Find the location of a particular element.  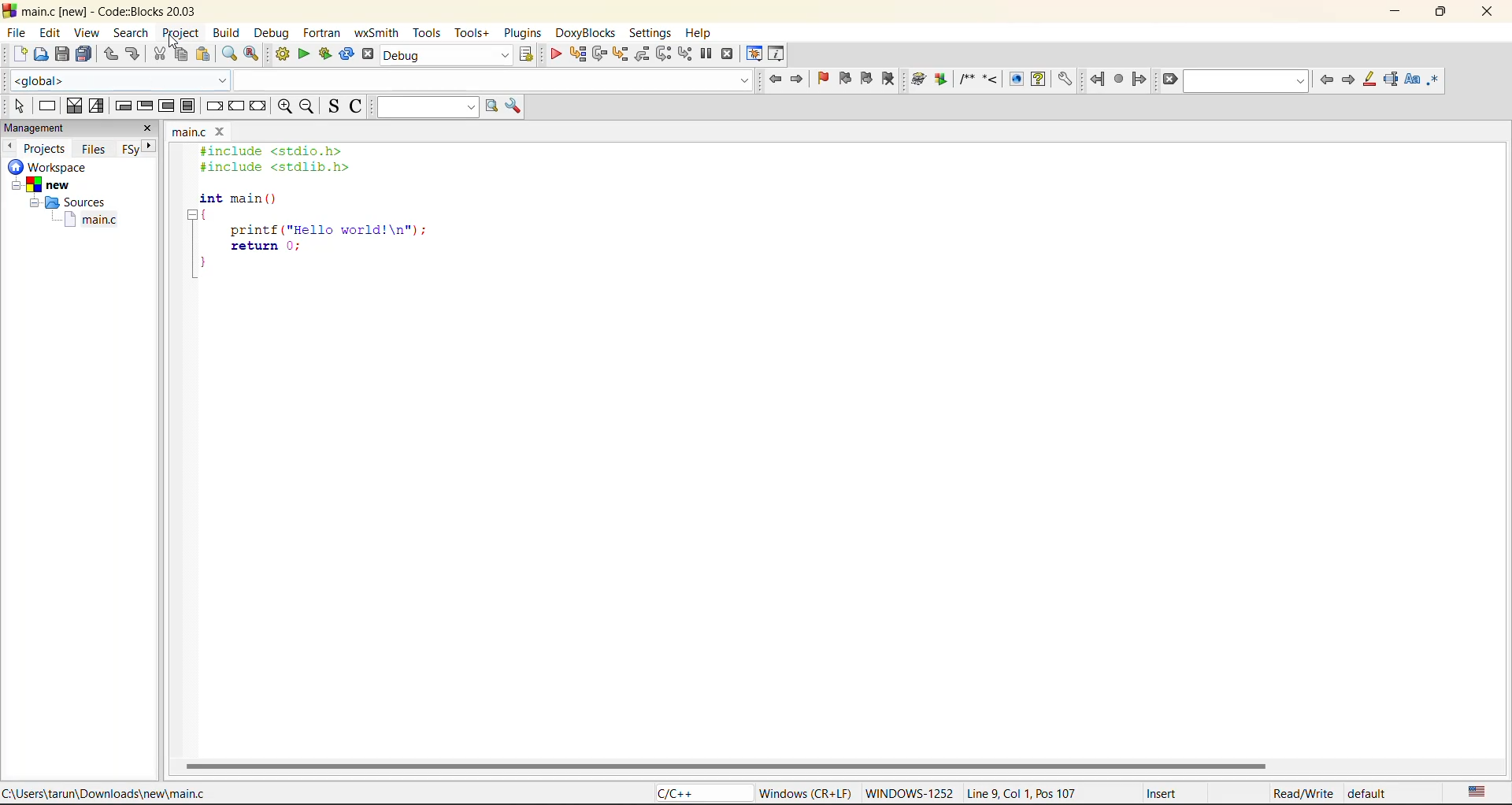

build and run is located at coordinates (326, 54).